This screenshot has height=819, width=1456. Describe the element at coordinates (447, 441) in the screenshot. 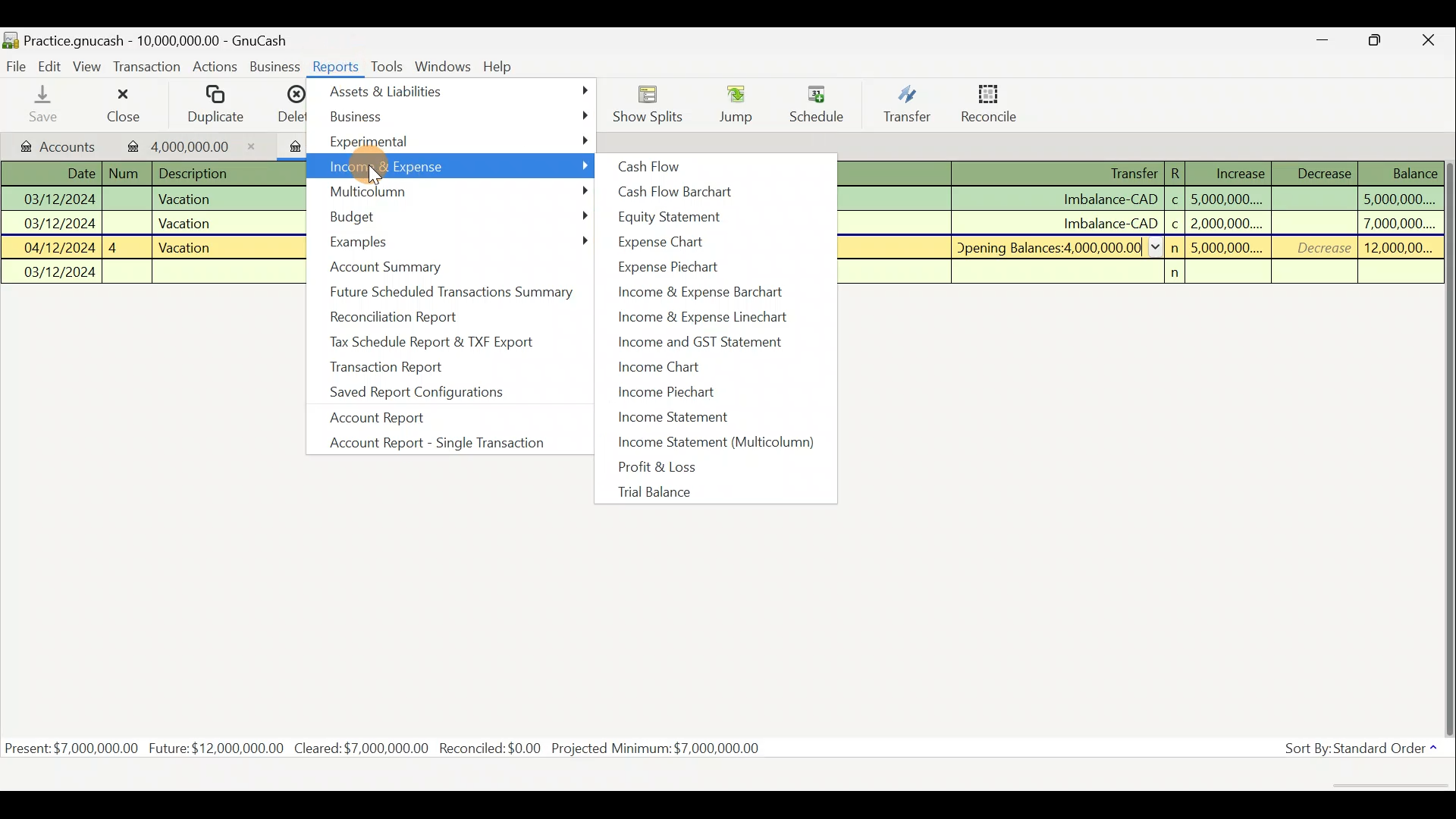

I see `Account report - single transaction` at that location.